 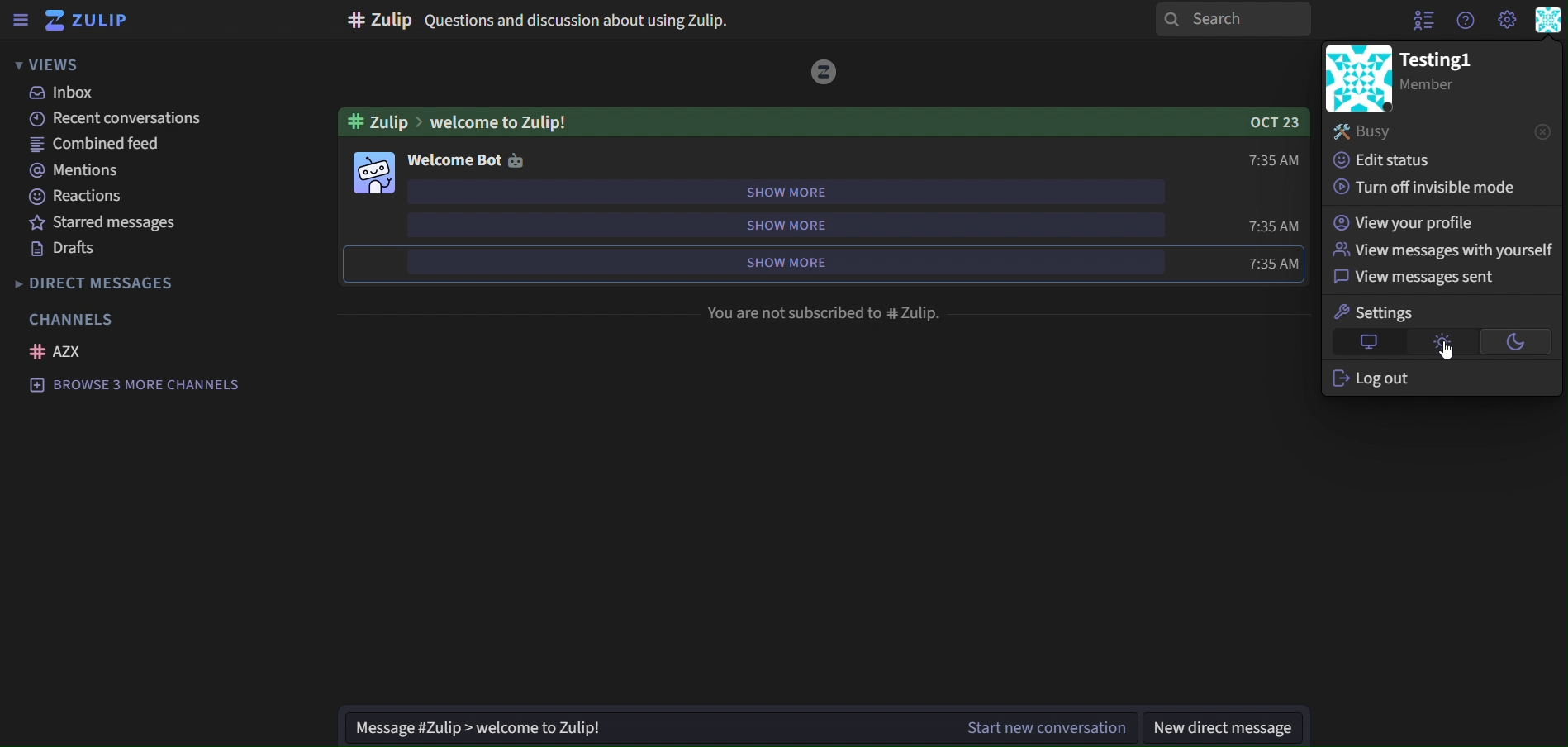 What do you see at coordinates (379, 120) in the screenshot?
I see `# zulip` at bounding box center [379, 120].